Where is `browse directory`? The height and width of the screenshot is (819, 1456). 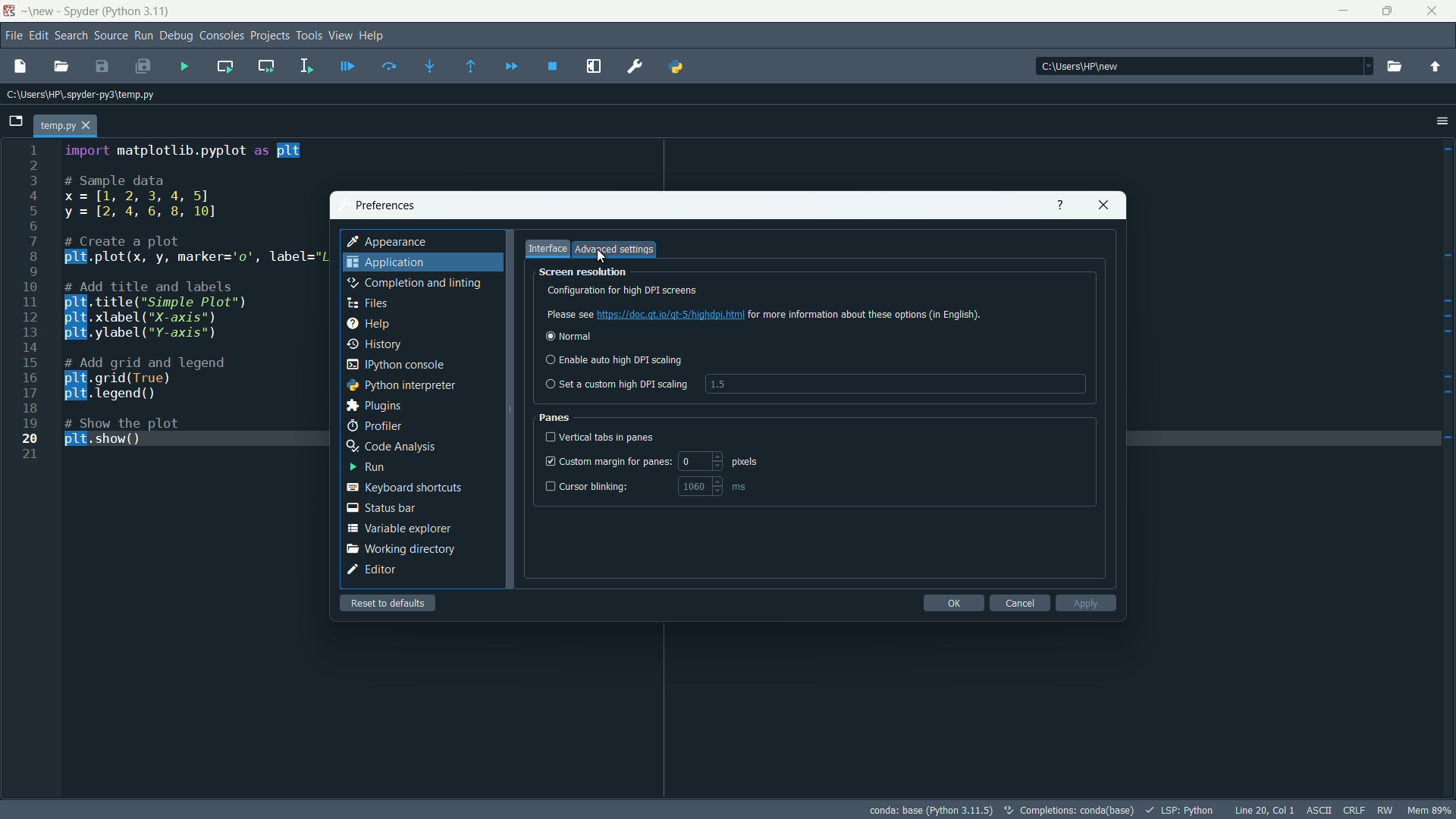 browse directory is located at coordinates (1394, 66).